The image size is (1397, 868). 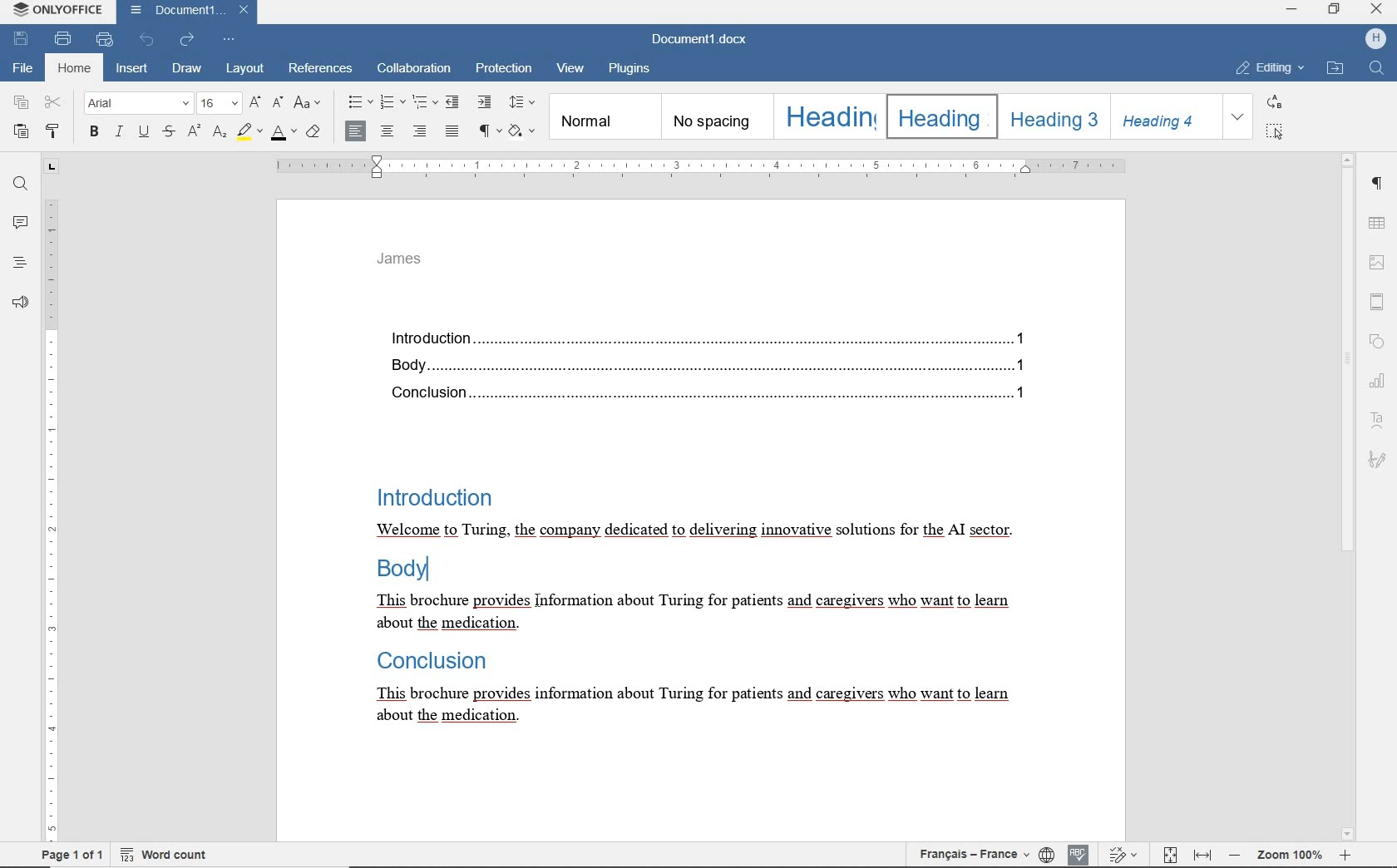 What do you see at coordinates (254, 101) in the screenshot?
I see `INCREMENT FONT SIZE` at bounding box center [254, 101].